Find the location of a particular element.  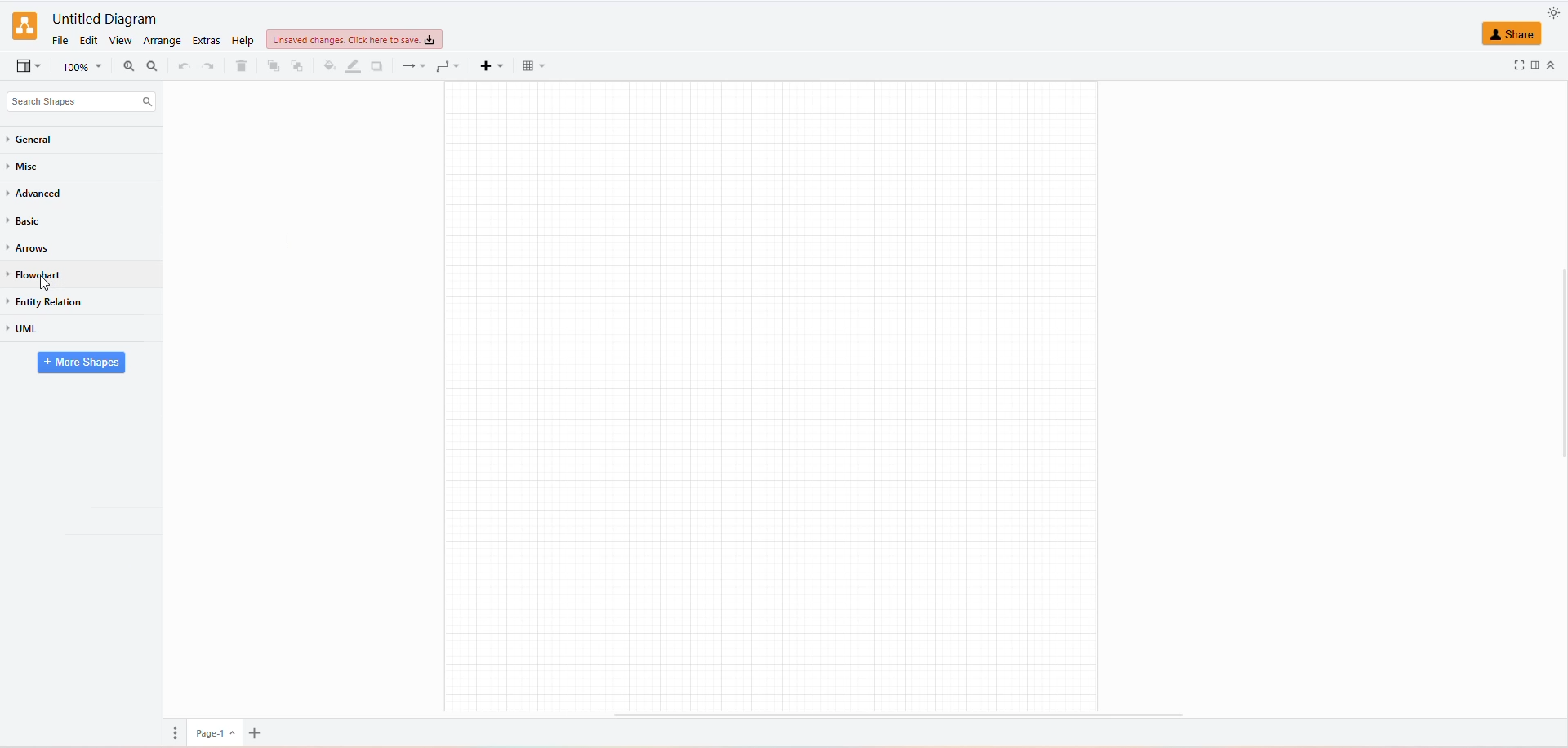

SEARCH is located at coordinates (78, 99).